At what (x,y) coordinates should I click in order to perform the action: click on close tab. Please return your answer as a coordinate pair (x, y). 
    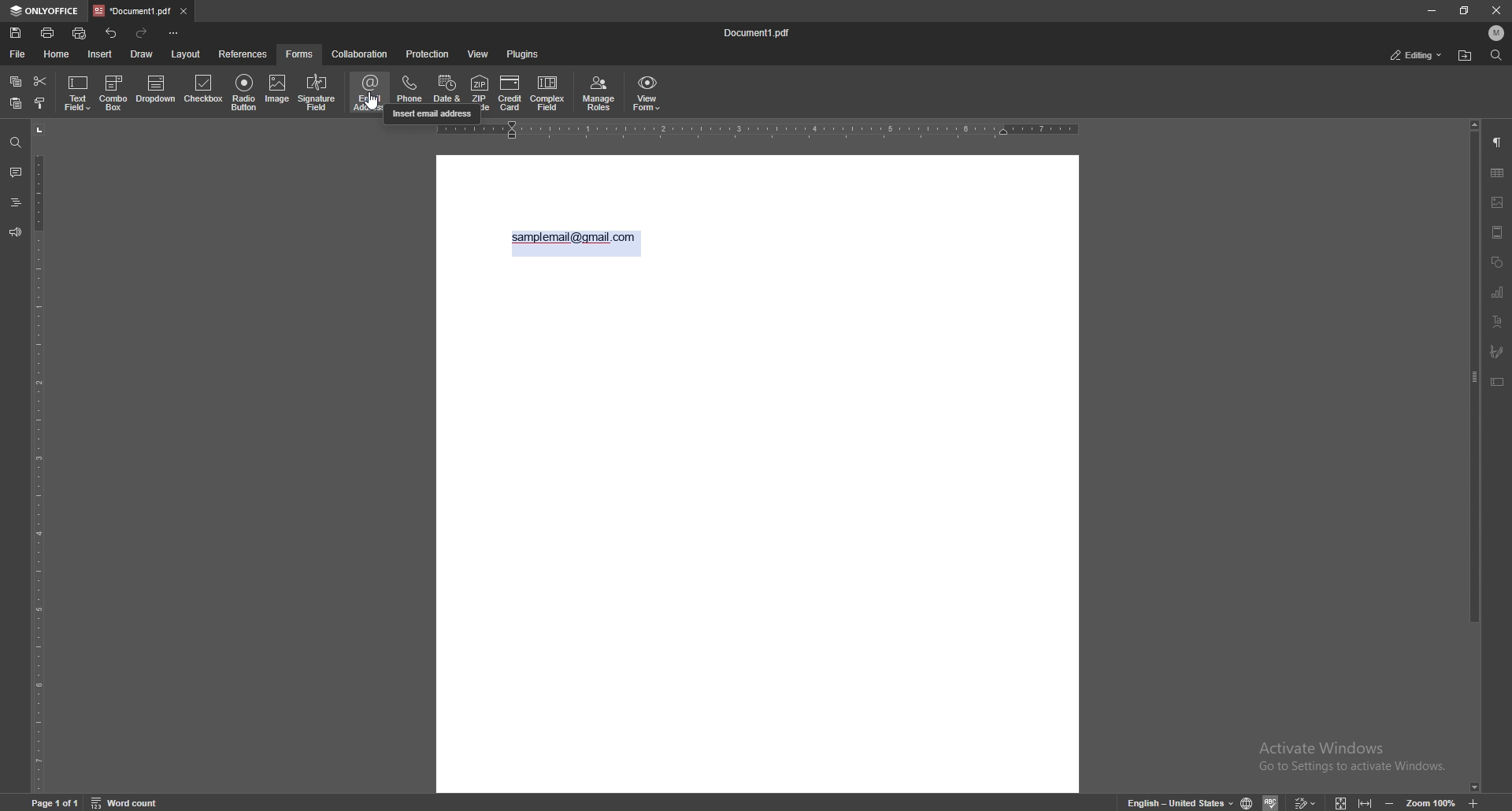
    Looking at the image, I should click on (183, 12).